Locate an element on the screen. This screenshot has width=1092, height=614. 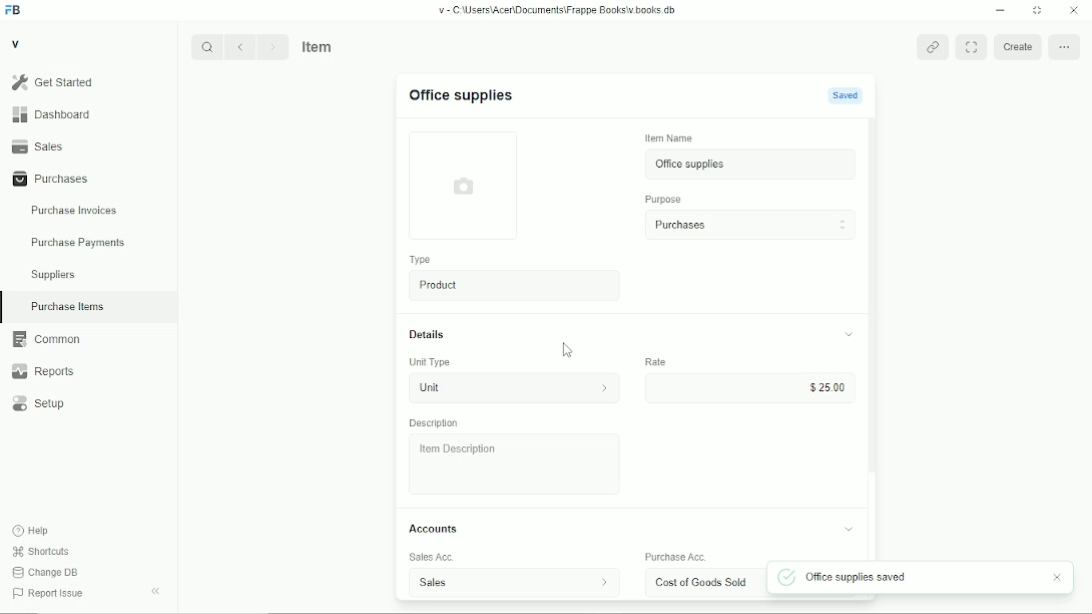
common is located at coordinates (47, 339).